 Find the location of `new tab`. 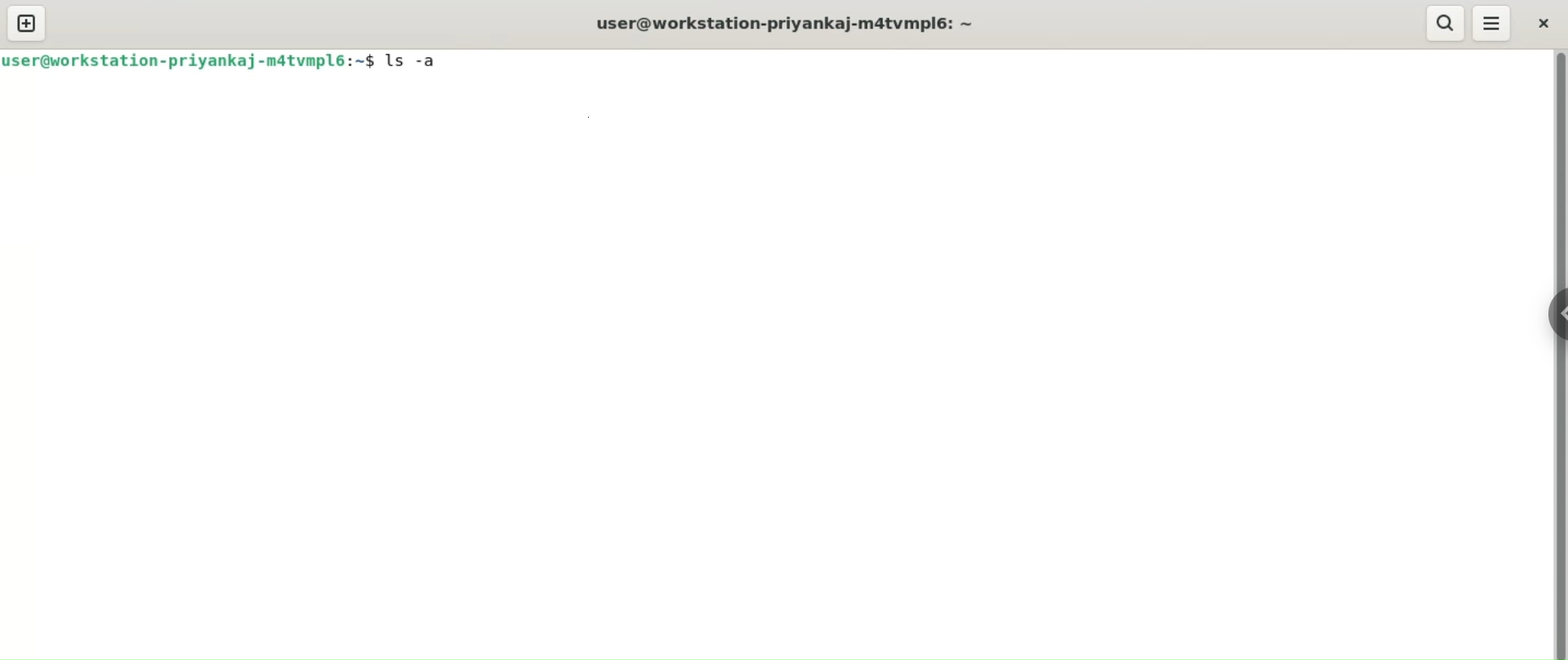

new tab is located at coordinates (26, 24).